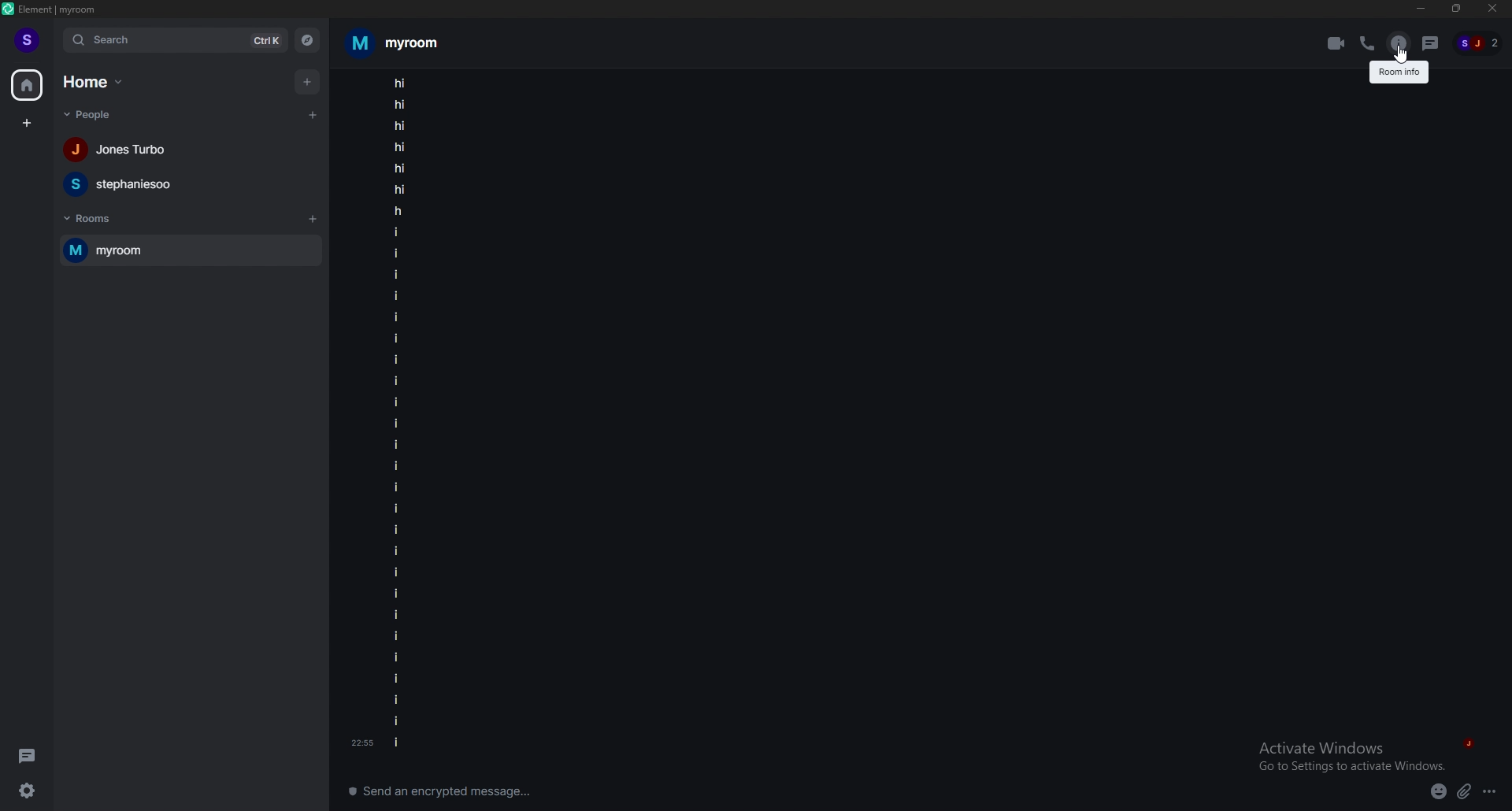 The width and height of the screenshot is (1512, 811). I want to click on messages, so click(398, 416).